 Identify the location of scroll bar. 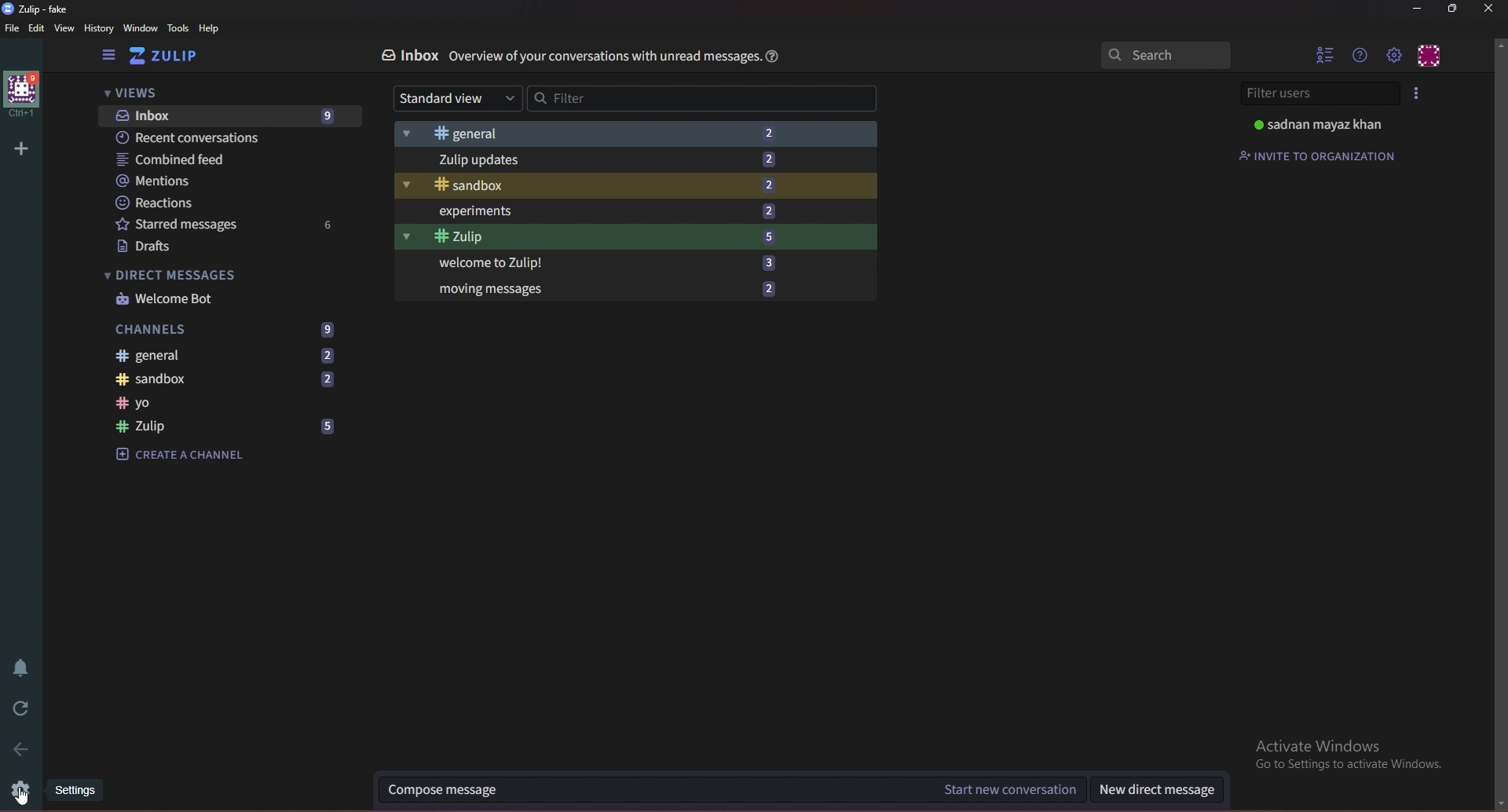
(1501, 424).